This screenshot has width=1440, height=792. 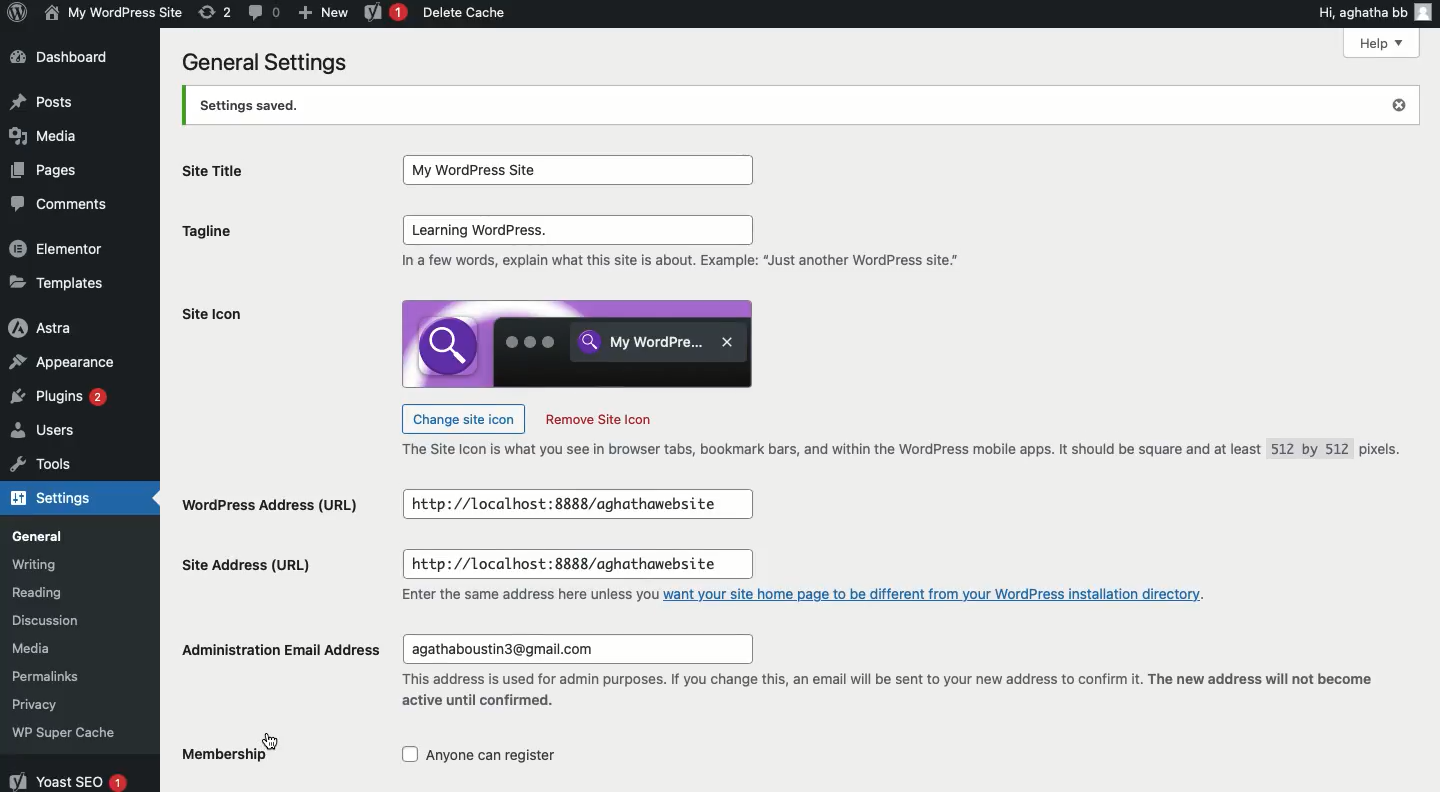 What do you see at coordinates (58, 704) in the screenshot?
I see `Privacy` at bounding box center [58, 704].